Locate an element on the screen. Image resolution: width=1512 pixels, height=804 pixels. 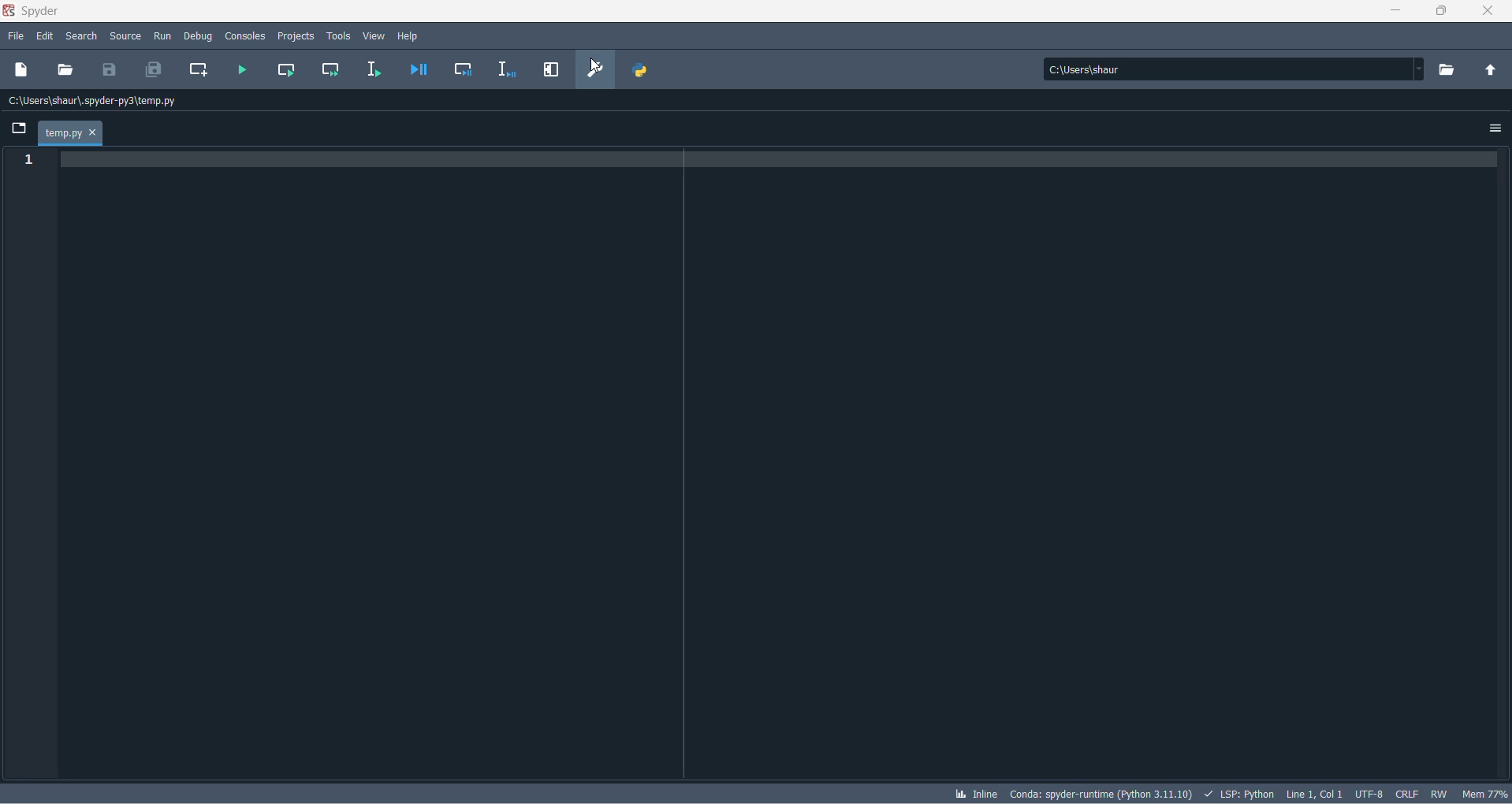
PREFERENCES is located at coordinates (597, 70).